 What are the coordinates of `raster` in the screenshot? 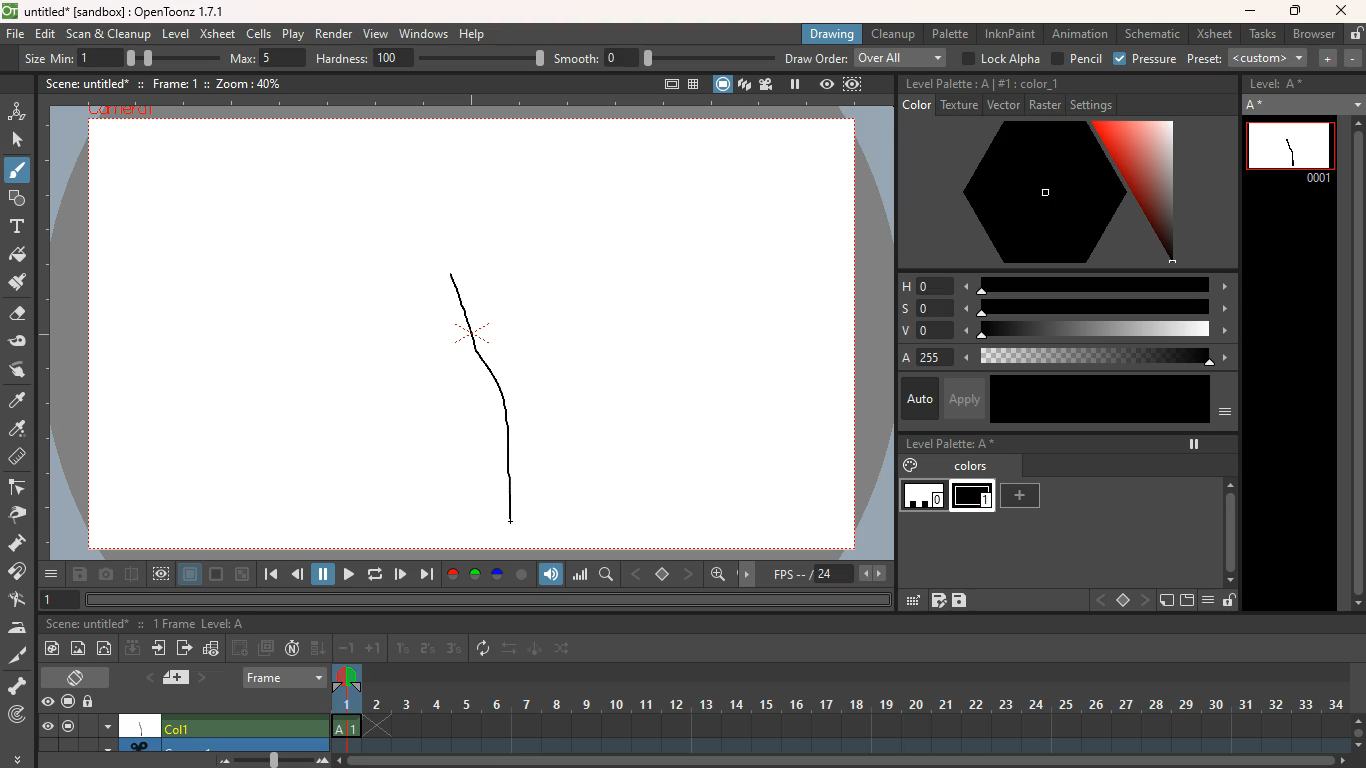 It's located at (1045, 106).